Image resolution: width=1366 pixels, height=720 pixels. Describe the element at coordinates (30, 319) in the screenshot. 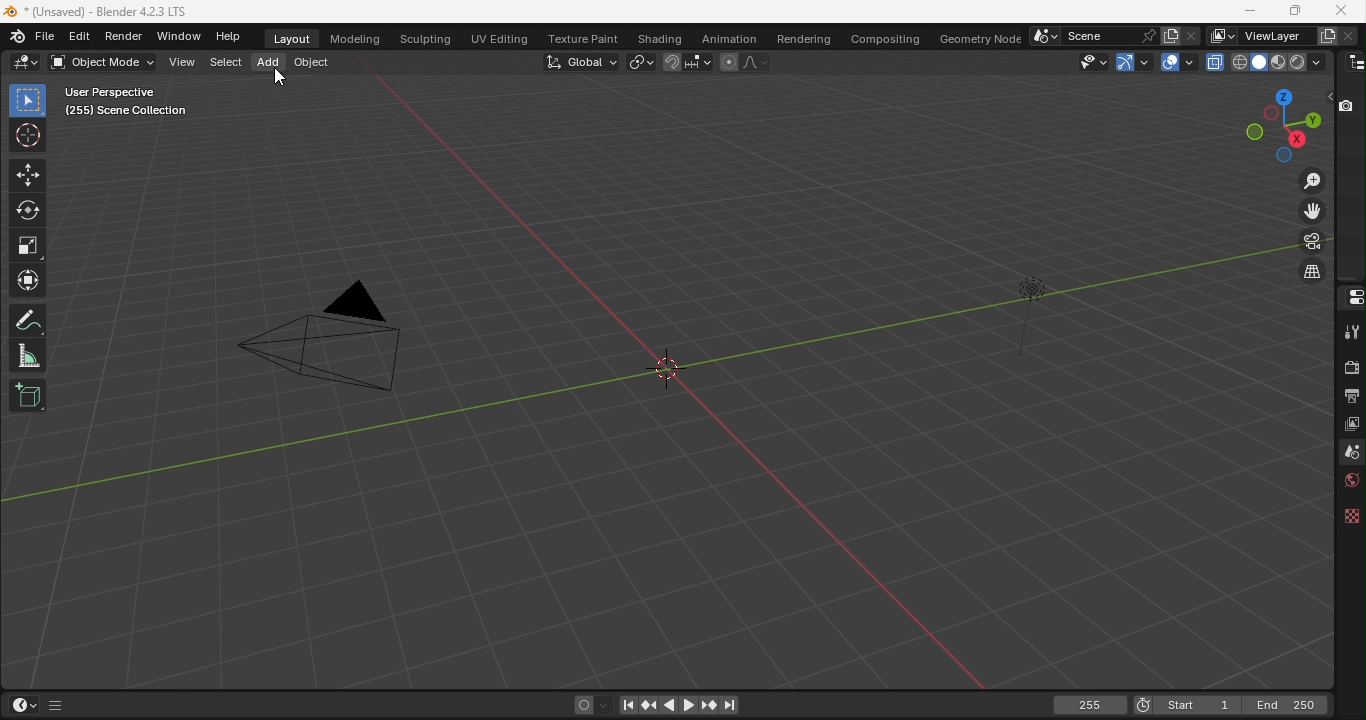

I see `Annotate` at that location.